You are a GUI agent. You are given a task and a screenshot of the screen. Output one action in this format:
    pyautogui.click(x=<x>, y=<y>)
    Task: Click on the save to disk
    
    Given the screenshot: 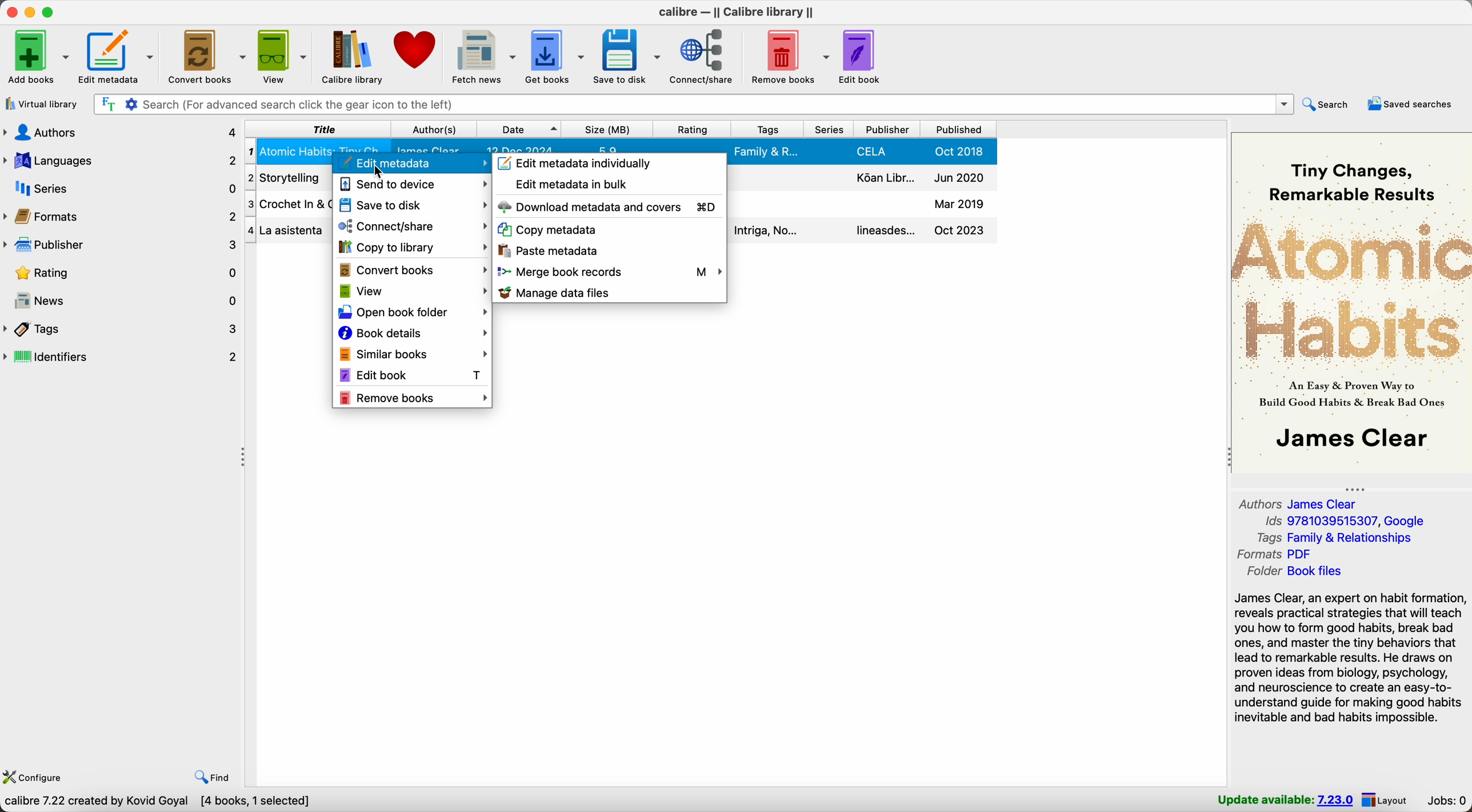 What is the action you would take?
    pyautogui.click(x=414, y=206)
    